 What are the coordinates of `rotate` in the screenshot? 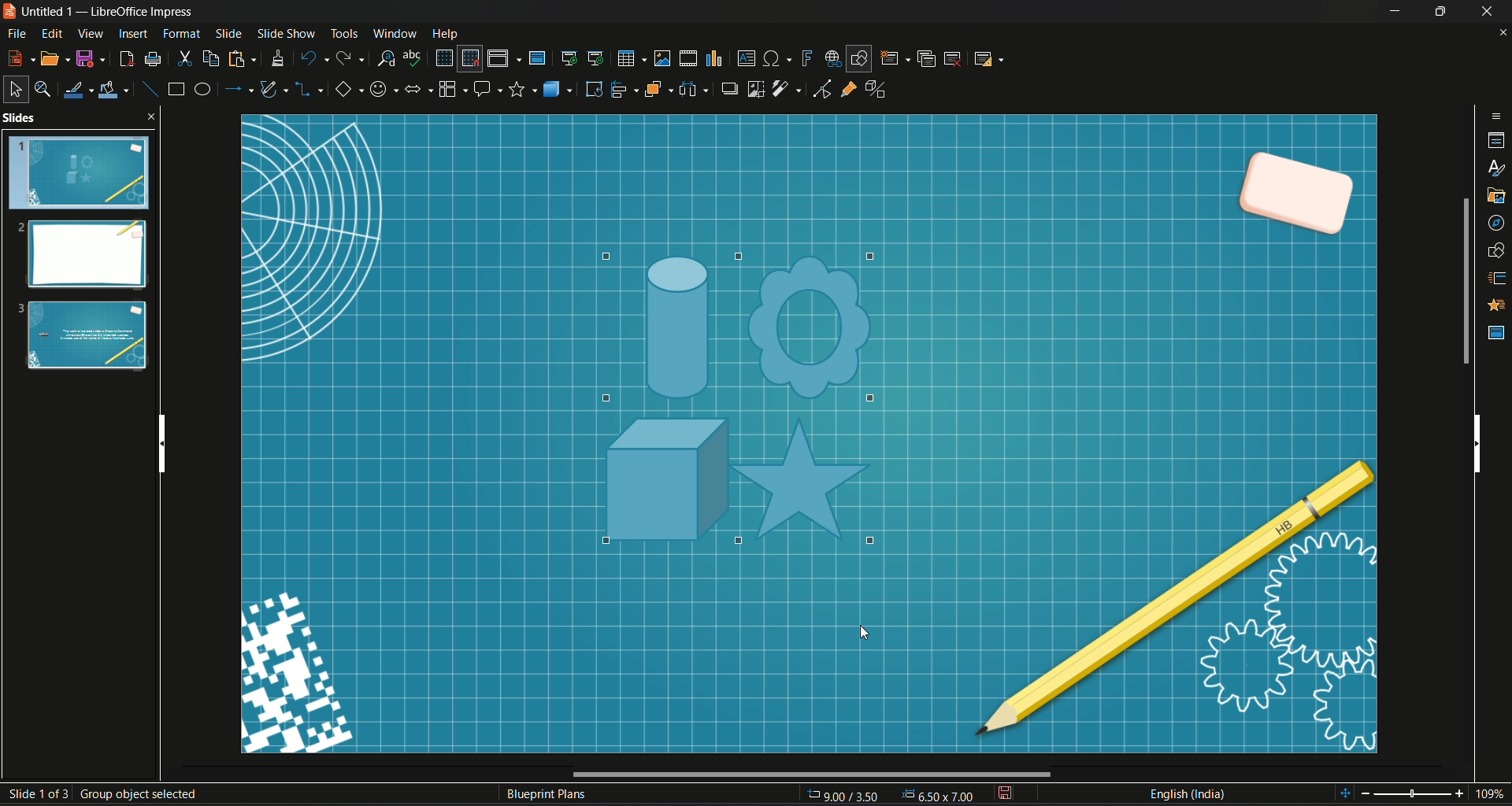 It's located at (594, 89).